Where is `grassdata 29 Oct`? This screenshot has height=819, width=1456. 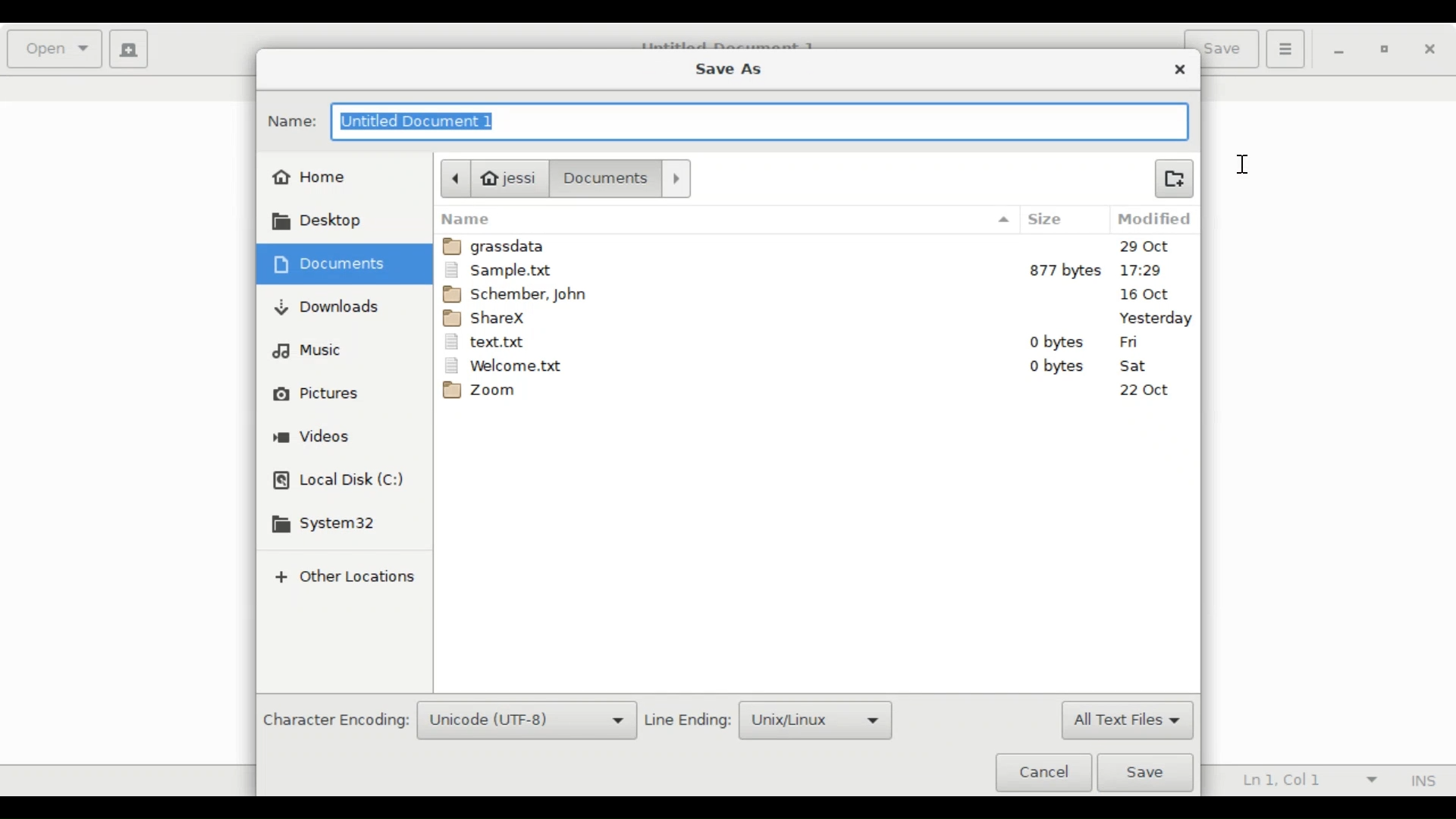
grassdata 29 Oct is located at coordinates (818, 246).